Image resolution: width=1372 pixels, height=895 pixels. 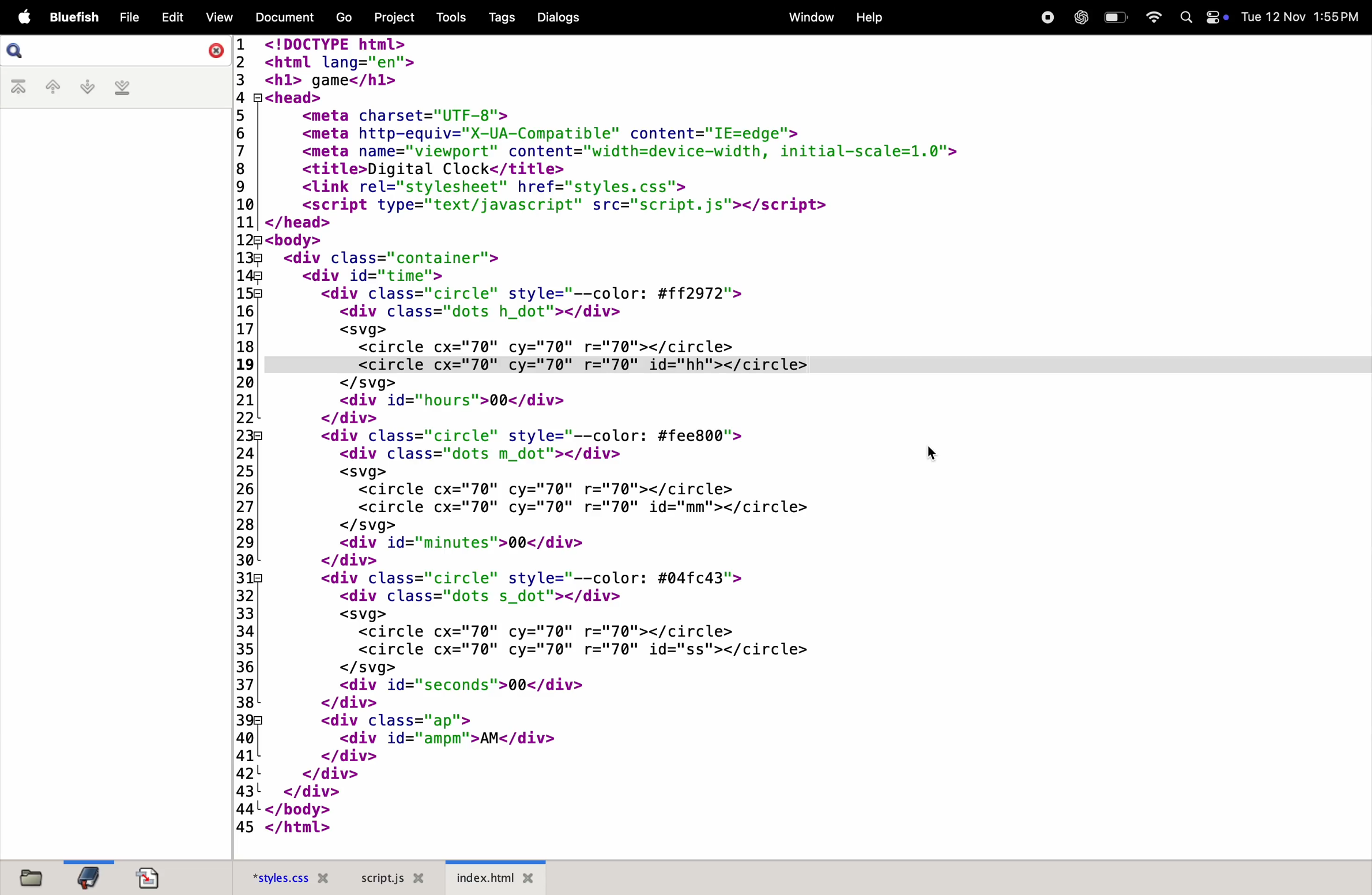 I want to click on projects, so click(x=389, y=17).